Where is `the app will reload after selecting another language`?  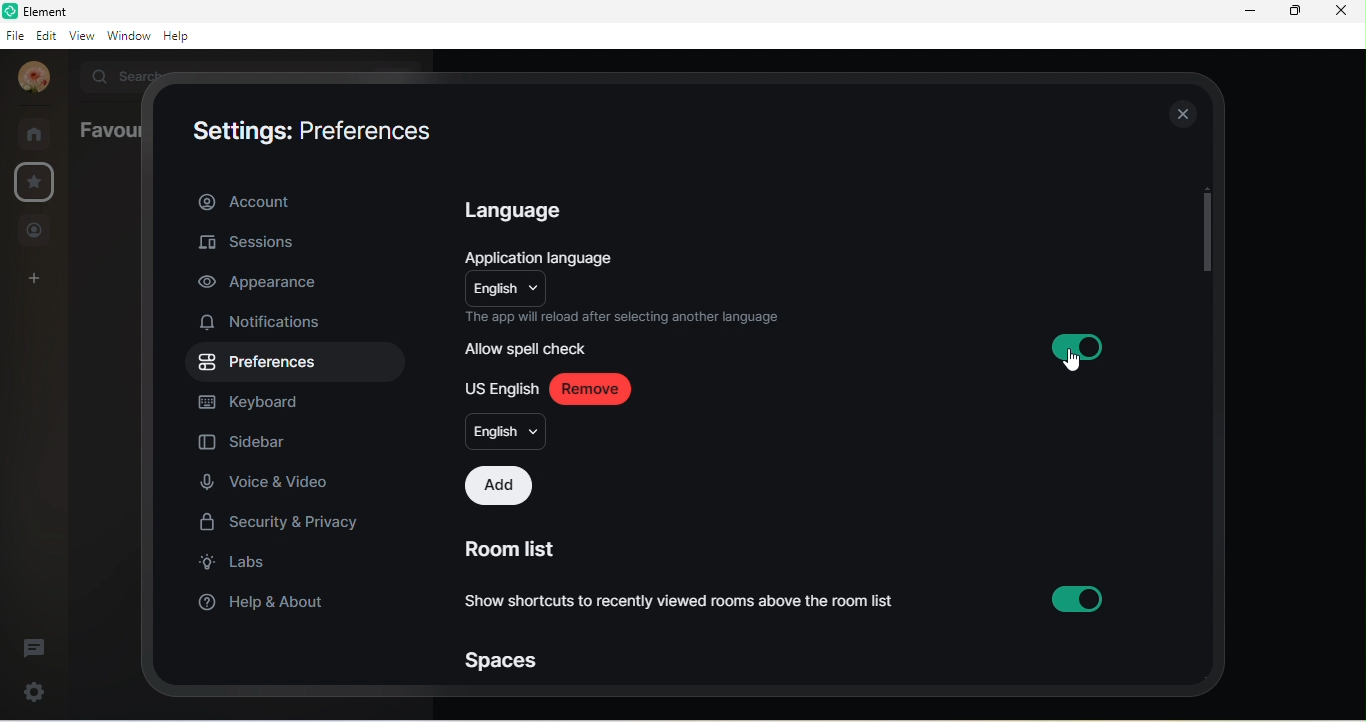 the app will reload after selecting another language is located at coordinates (631, 319).